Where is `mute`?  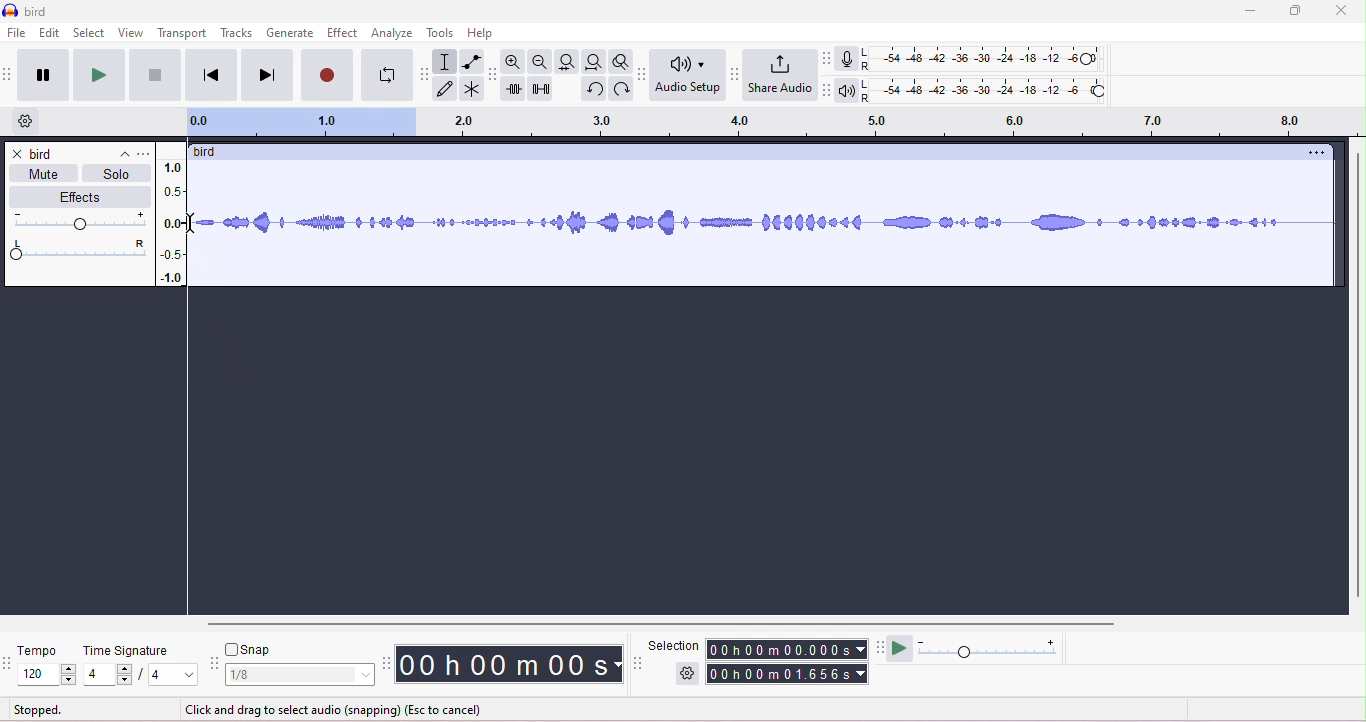
mute is located at coordinates (42, 174).